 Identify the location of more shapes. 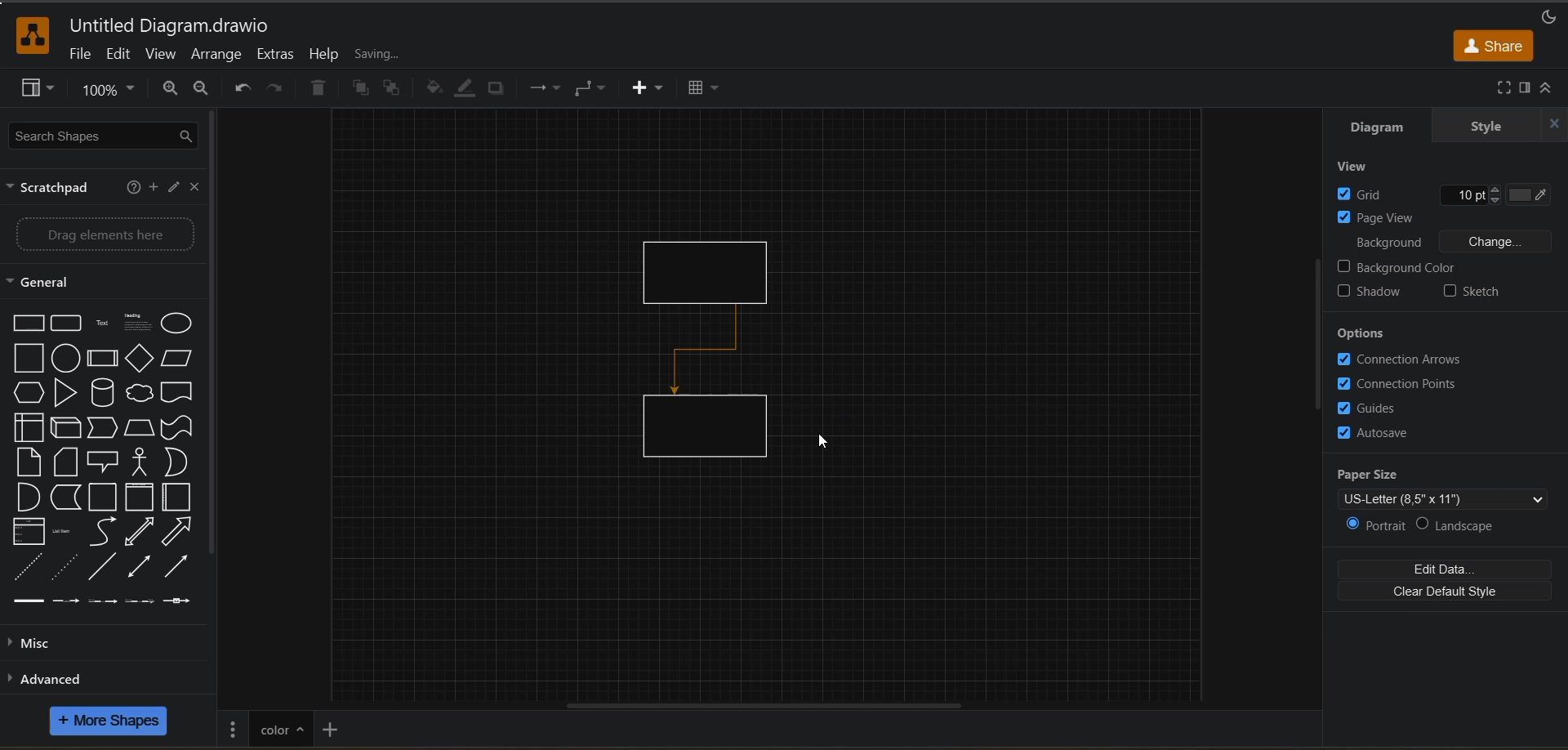
(111, 723).